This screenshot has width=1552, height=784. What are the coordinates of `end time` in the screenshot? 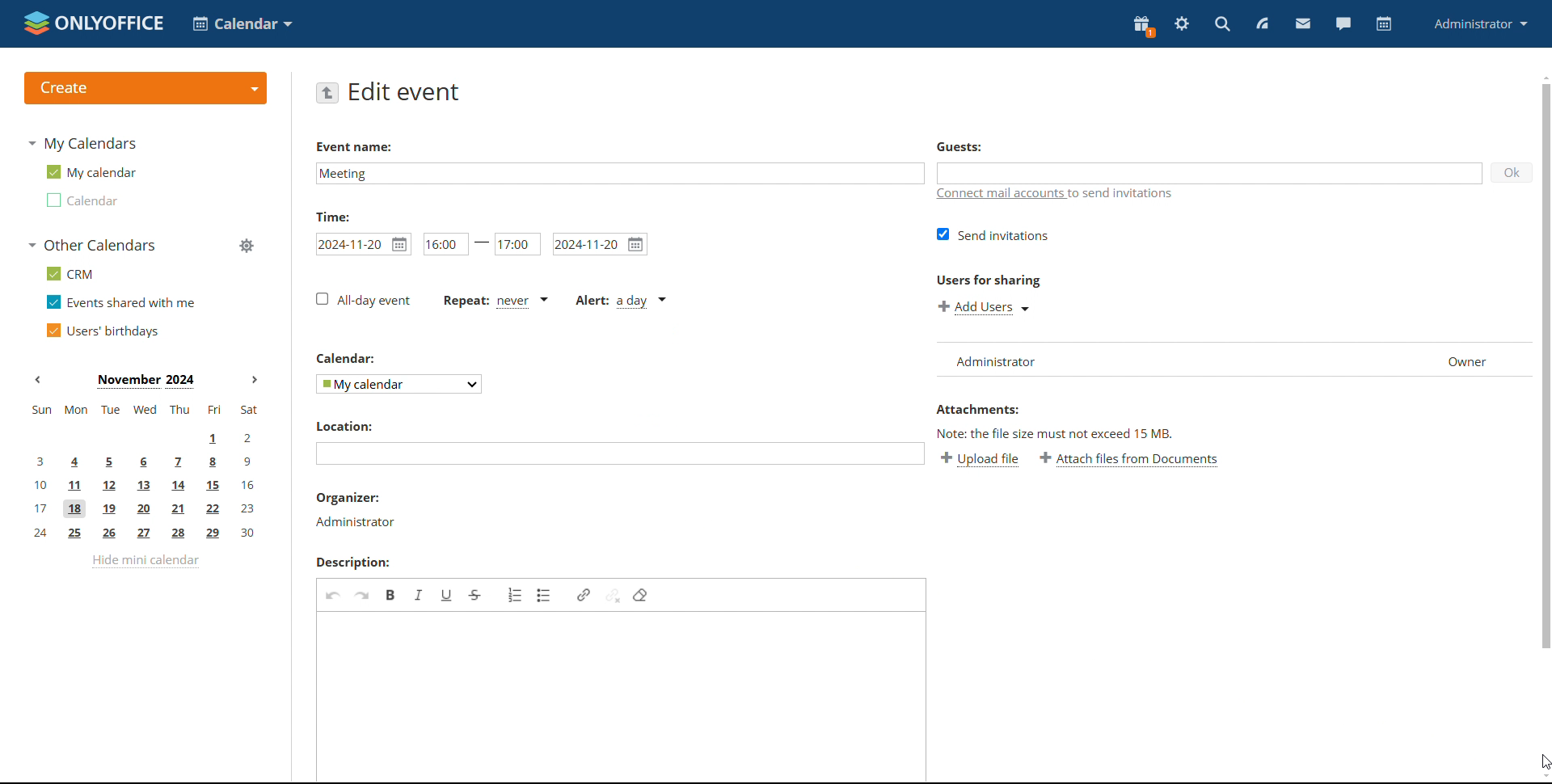 It's located at (517, 244).